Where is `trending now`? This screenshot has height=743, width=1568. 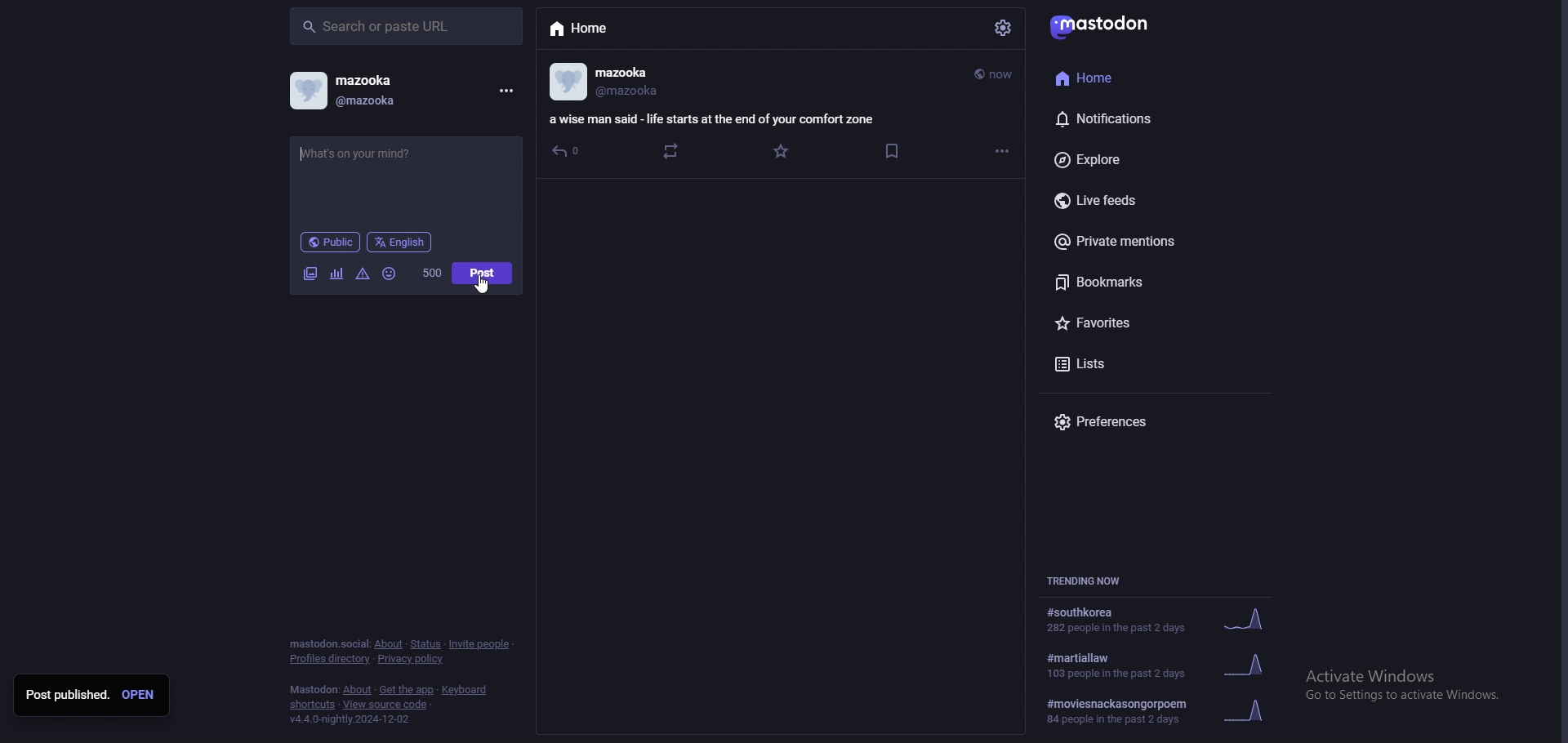
trending now is located at coordinates (1095, 581).